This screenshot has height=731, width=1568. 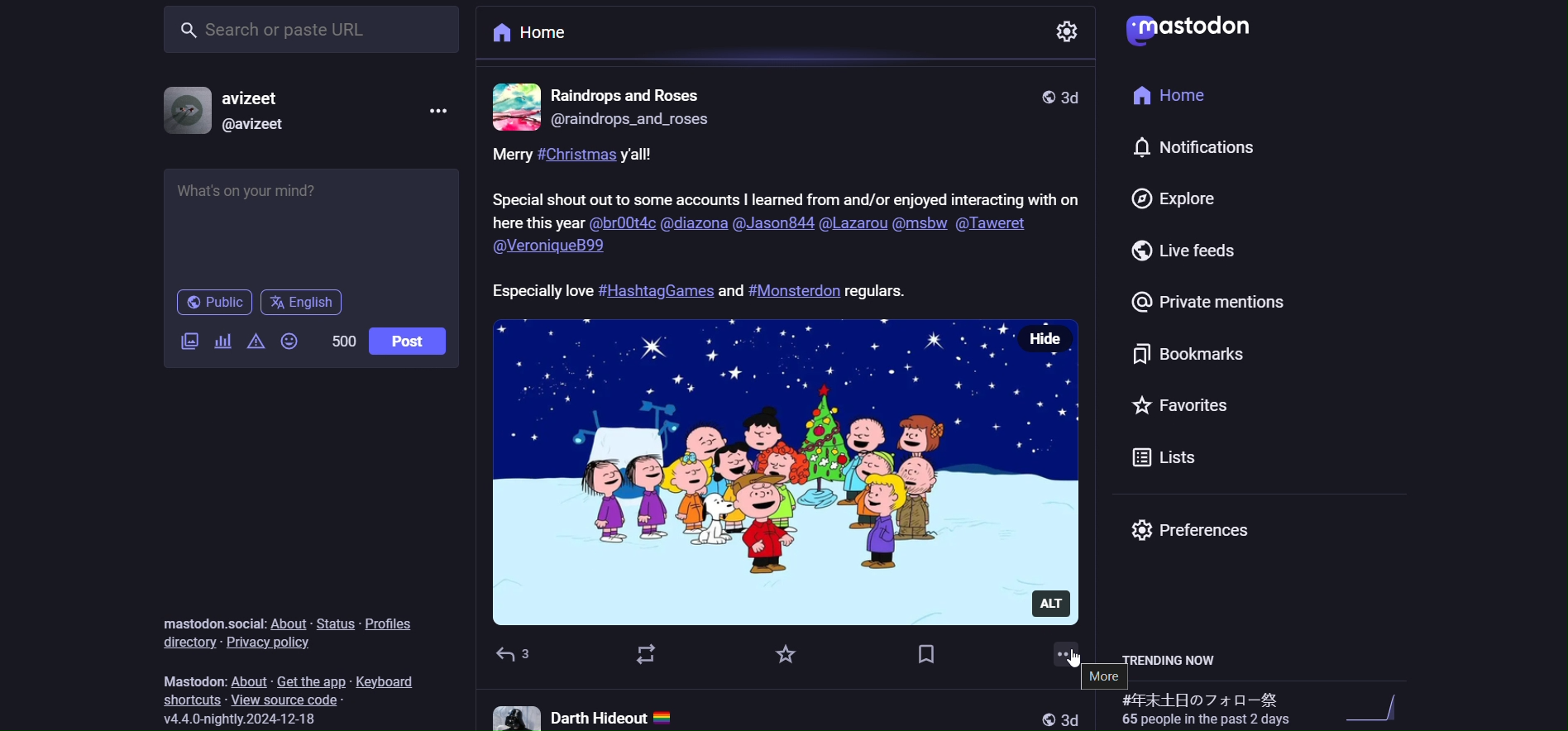 I want to click on more, so click(x=443, y=112).